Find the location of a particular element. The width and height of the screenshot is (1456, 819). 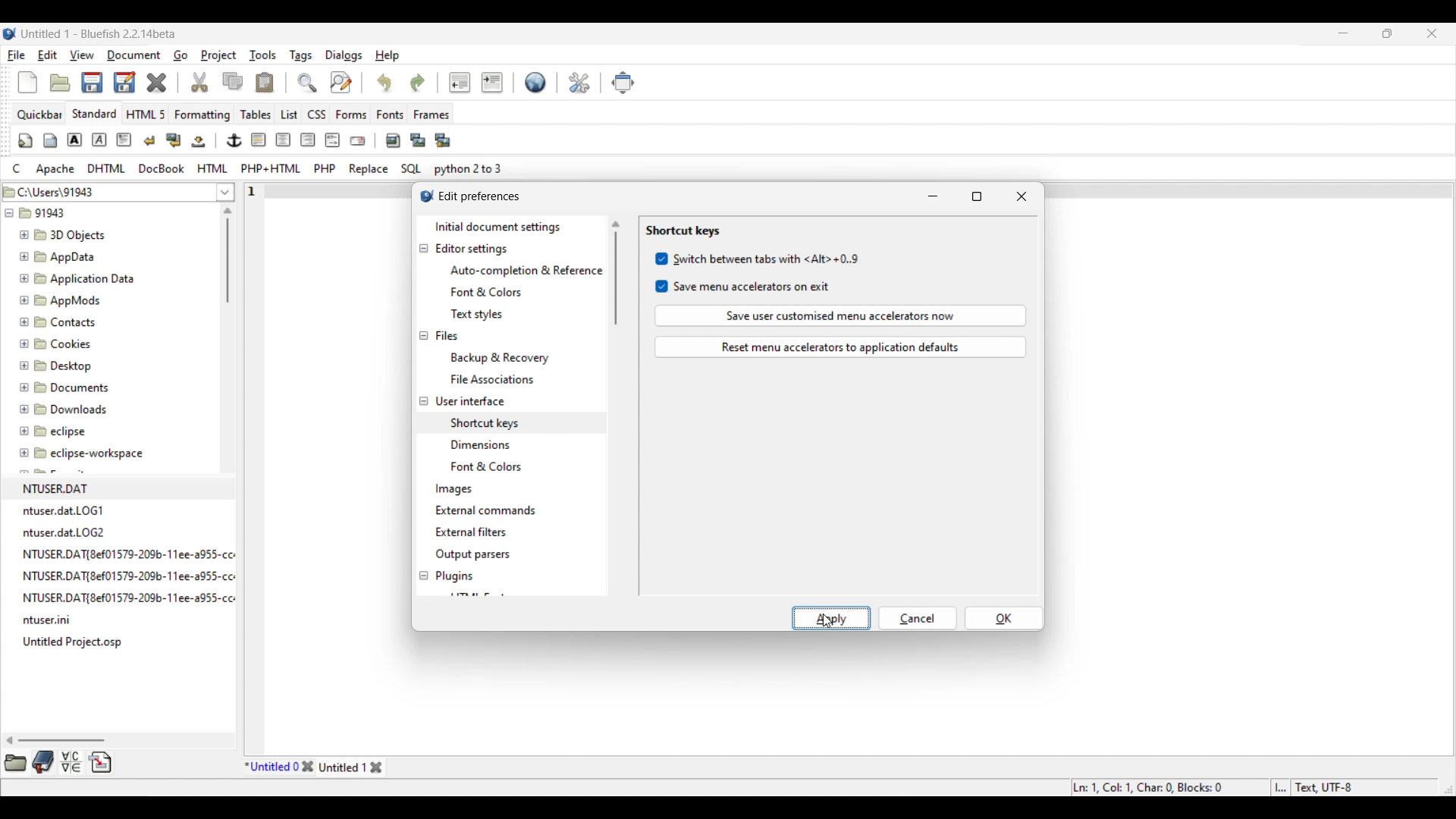

Current setting is located at coordinates (682, 231).